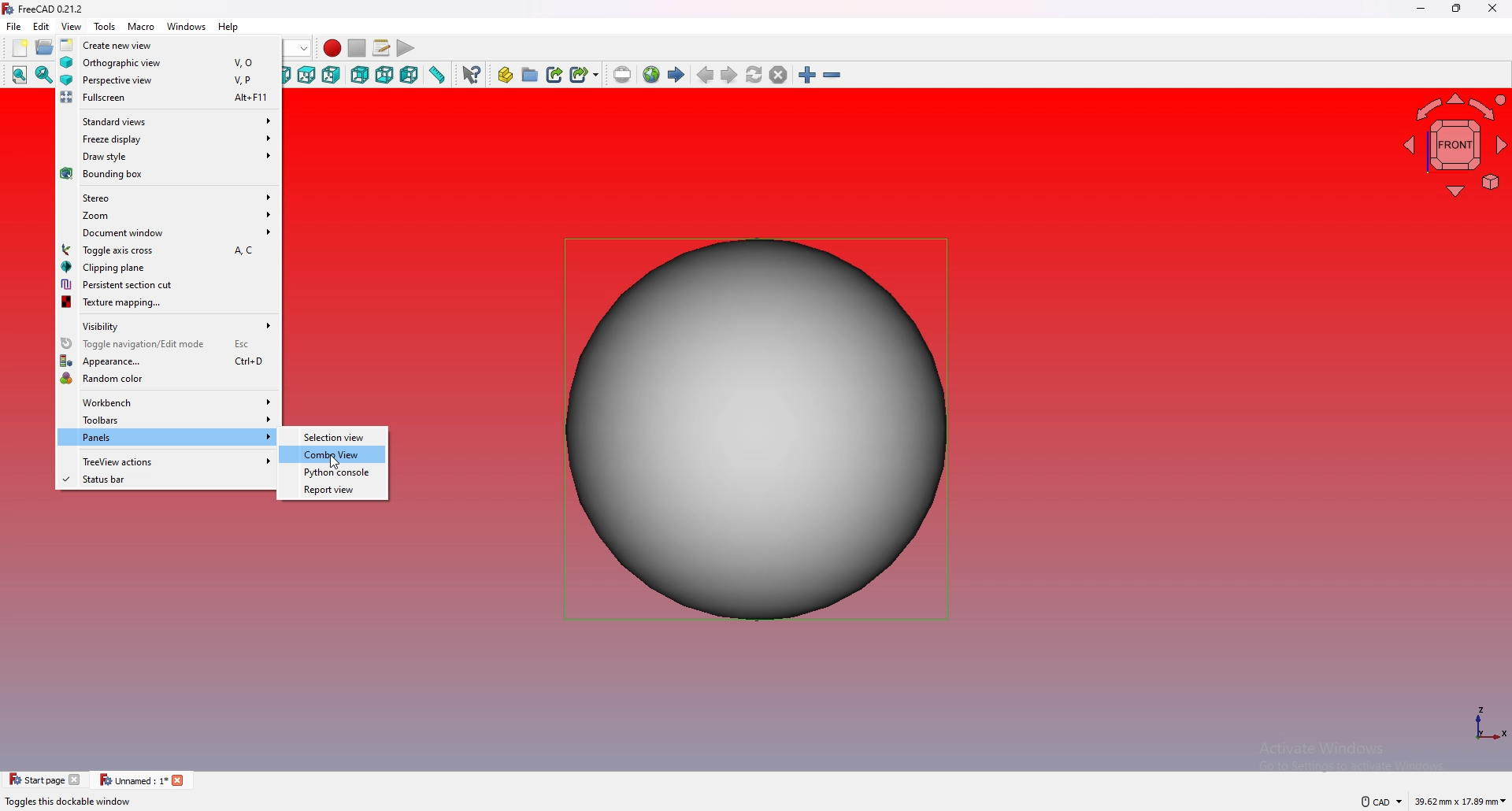 The image size is (1512, 811). I want to click on resize, so click(1456, 9).